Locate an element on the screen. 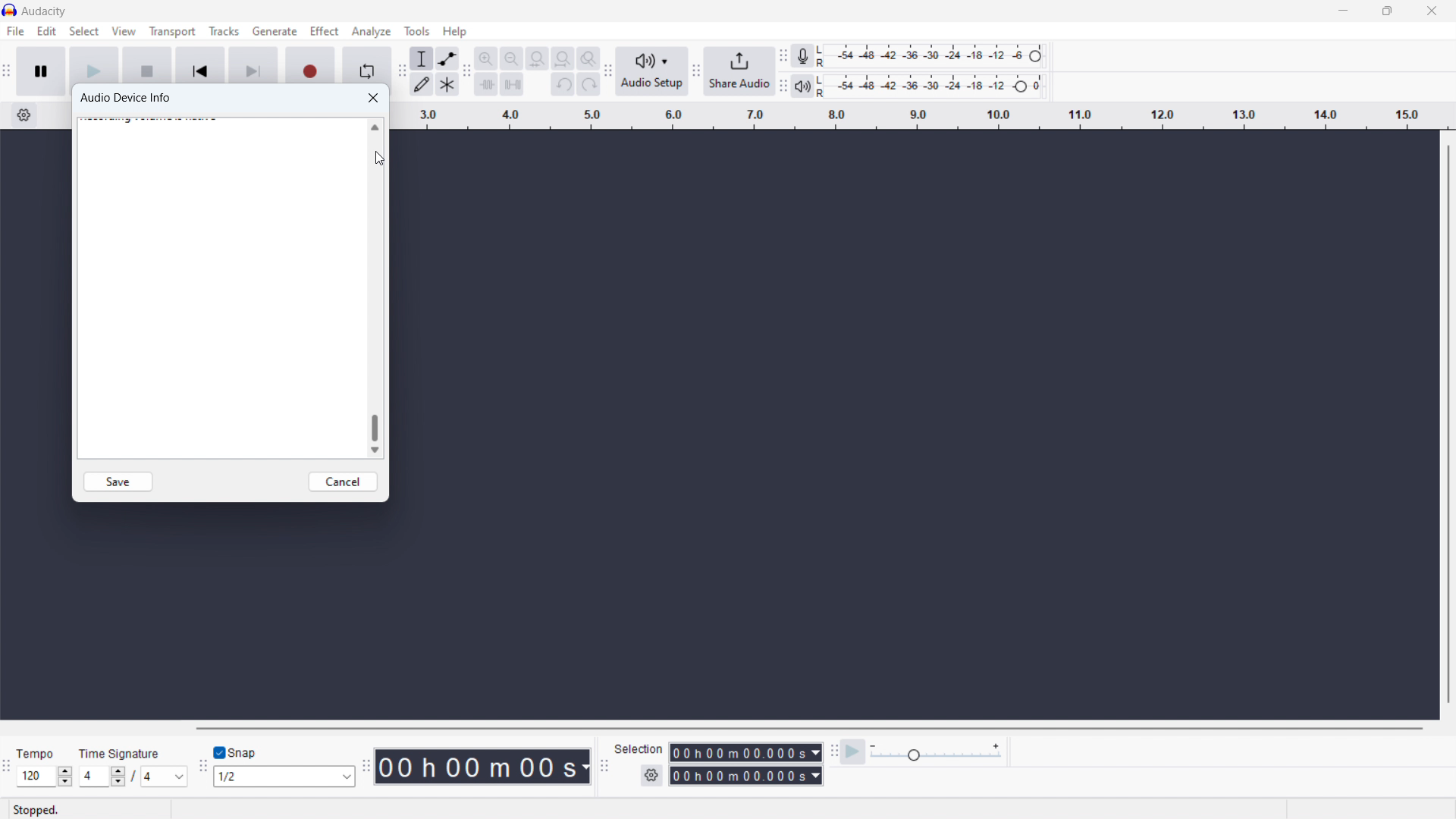  draw tool is located at coordinates (422, 84).